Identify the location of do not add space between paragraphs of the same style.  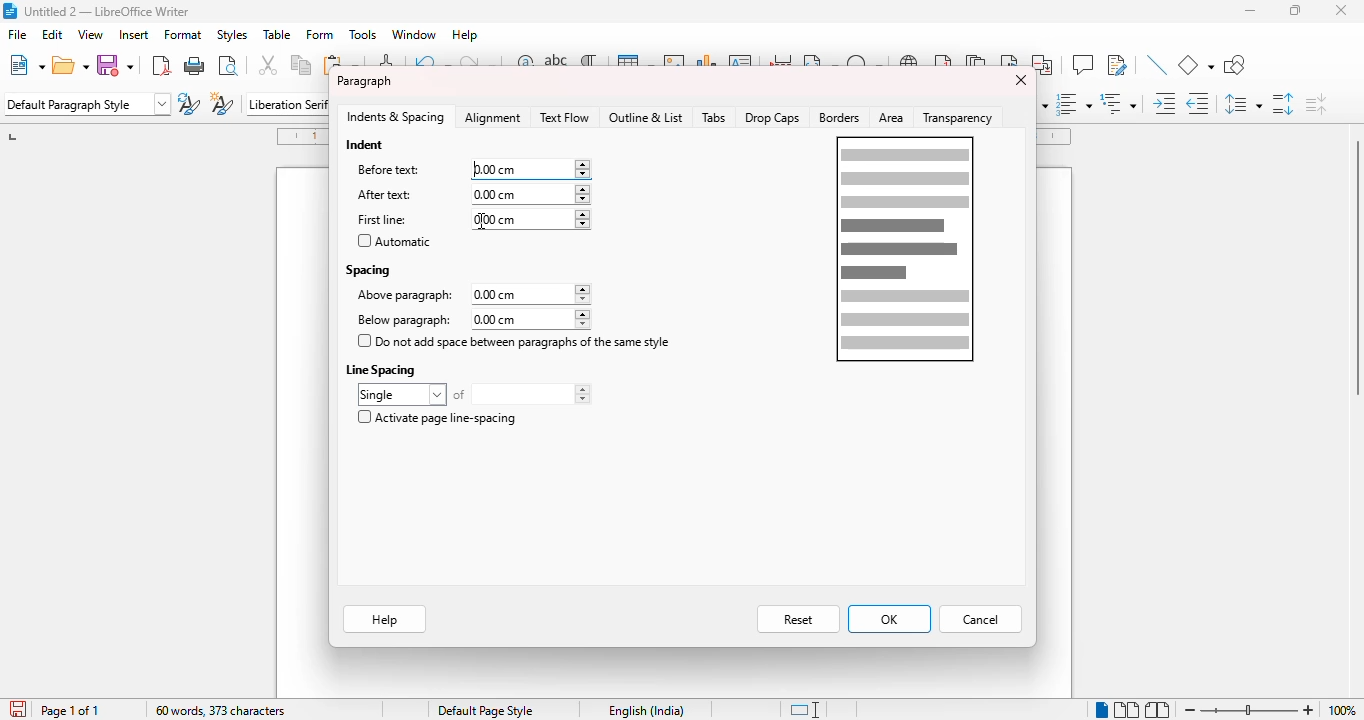
(515, 341).